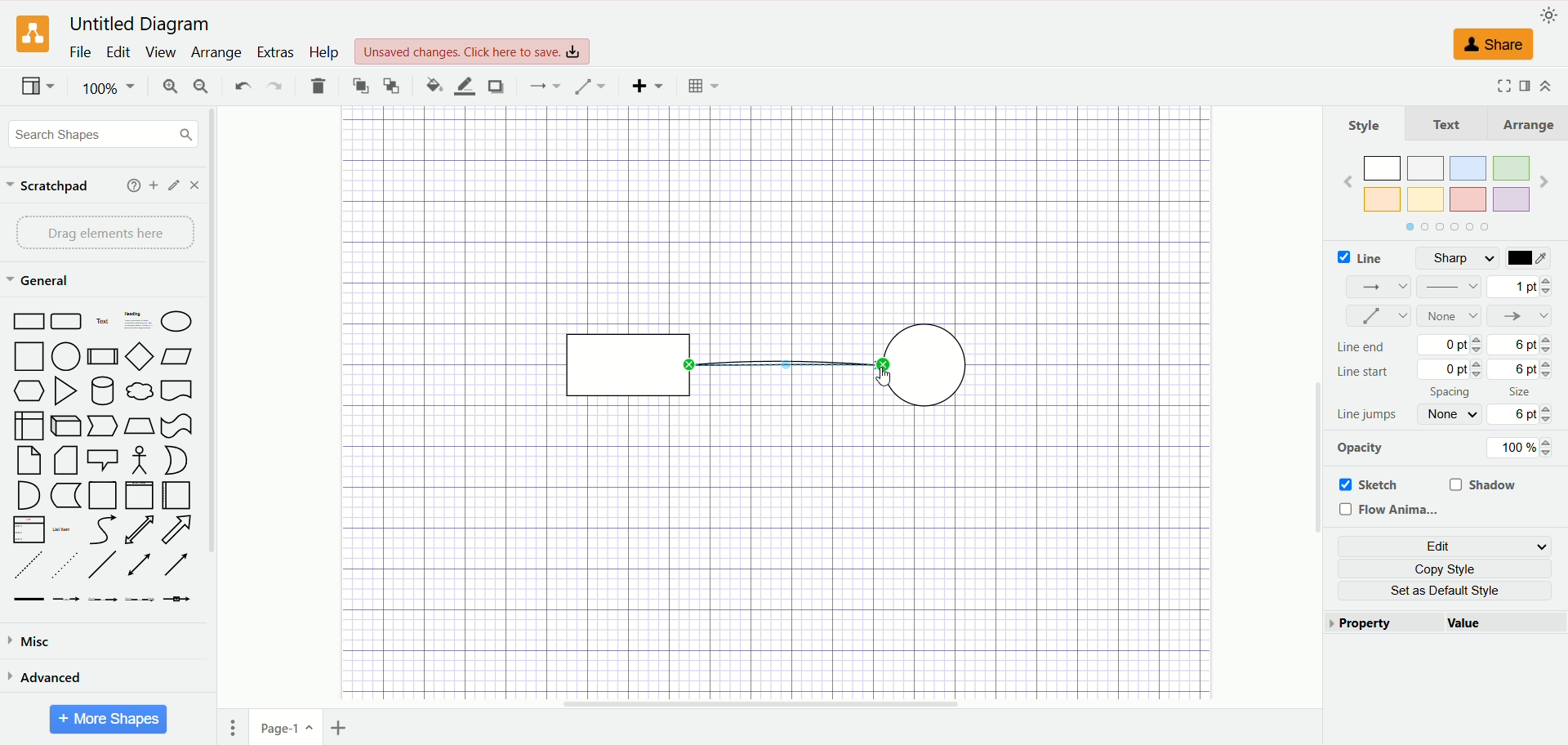  Describe the element at coordinates (1546, 86) in the screenshot. I see `expand/collapse` at that location.